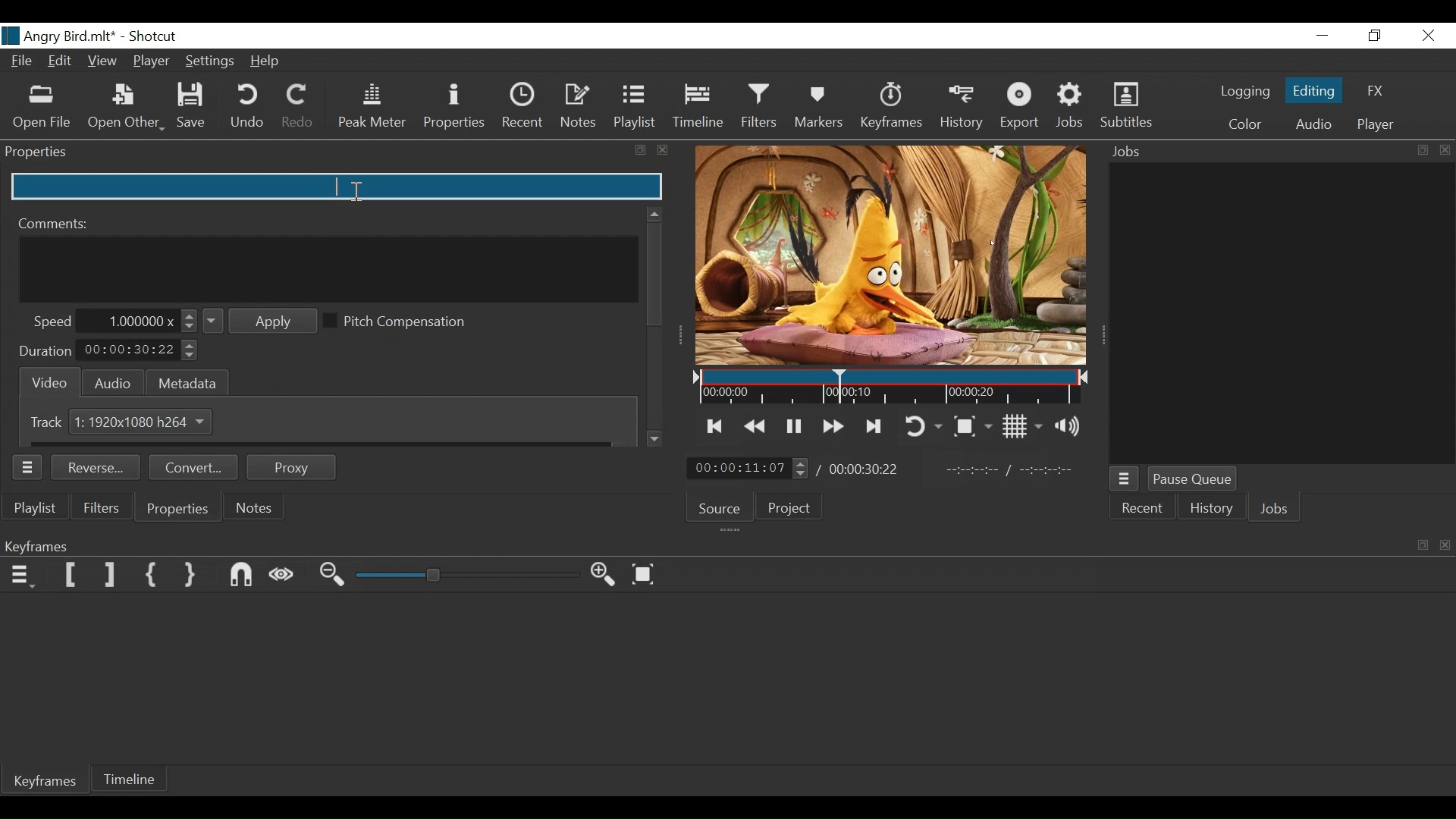 This screenshot has width=1456, height=819. Describe the element at coordinates (196, 469) in the screenshot. I see `Convert` at that location.